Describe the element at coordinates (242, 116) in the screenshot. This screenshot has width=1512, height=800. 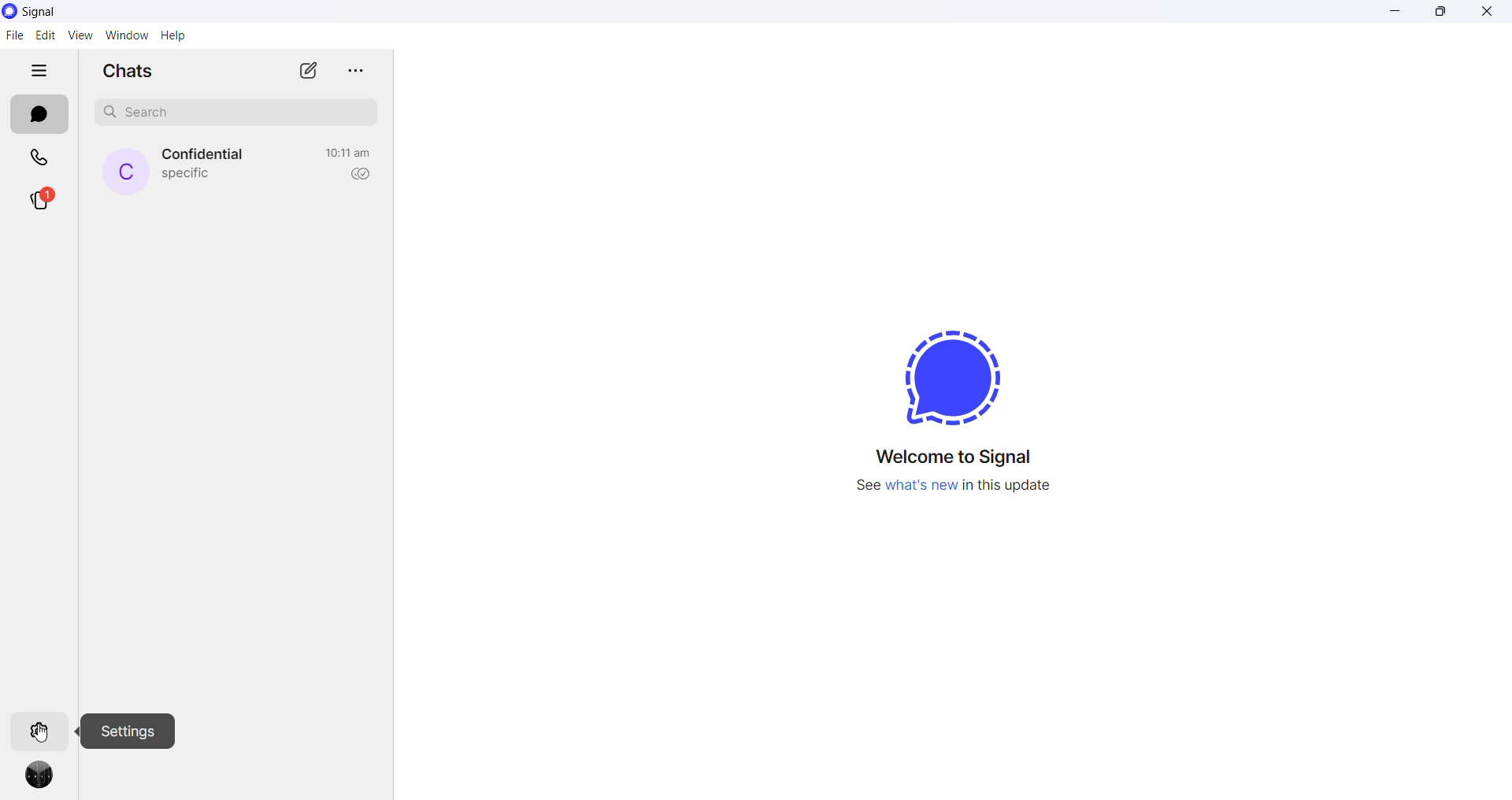
I see `search chat` at that location.